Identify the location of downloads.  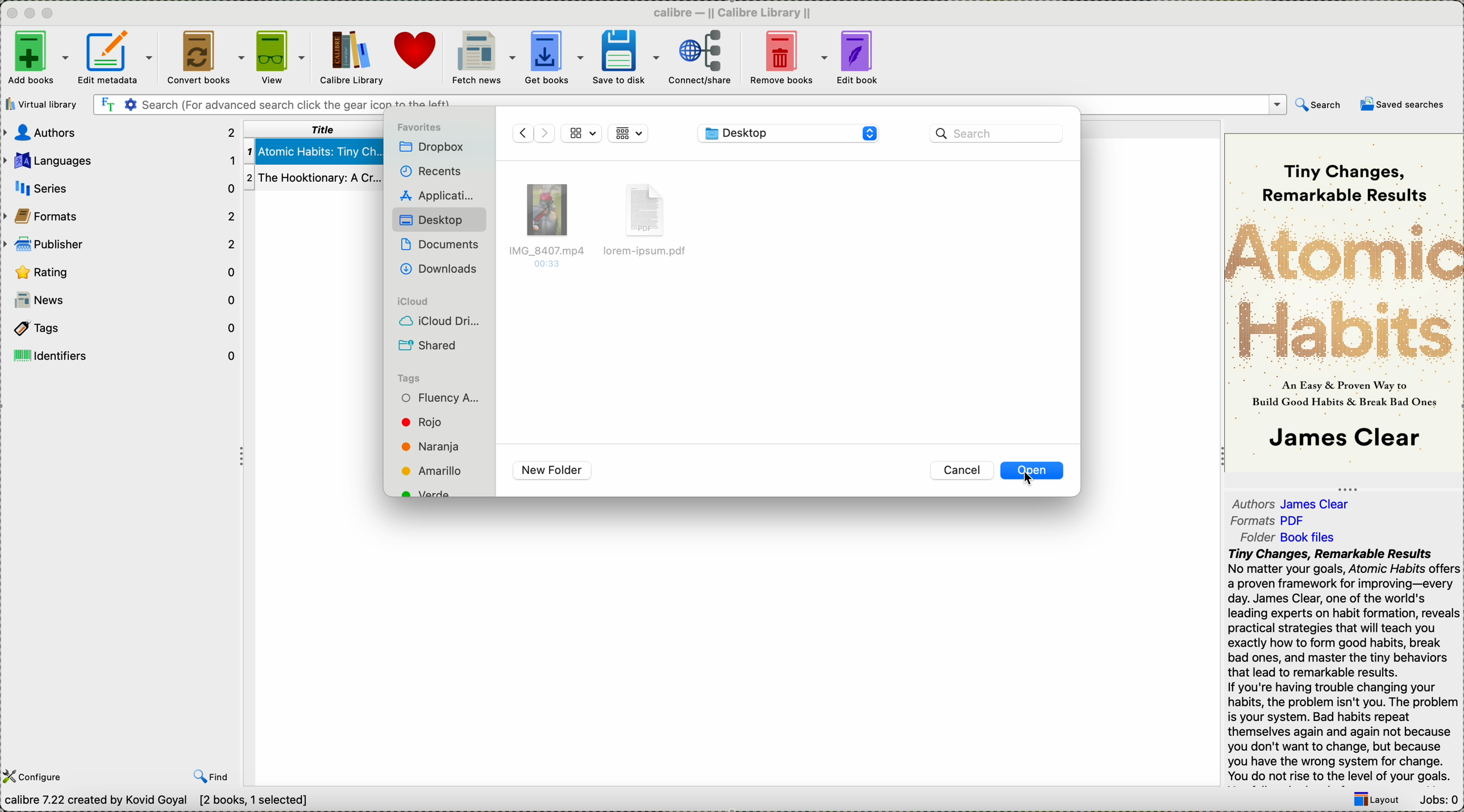
(443, 270).